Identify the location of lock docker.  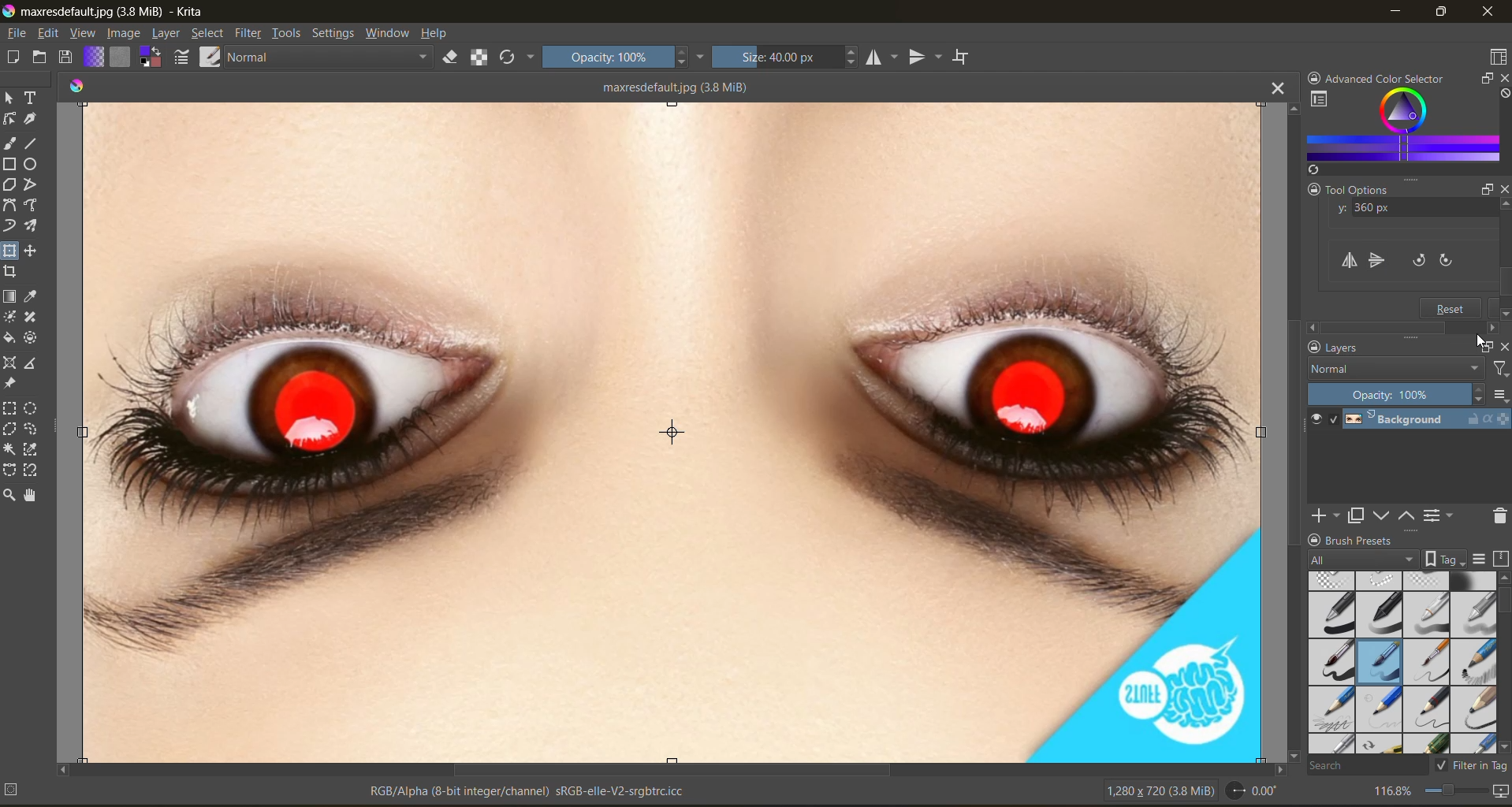
(1316, 79).